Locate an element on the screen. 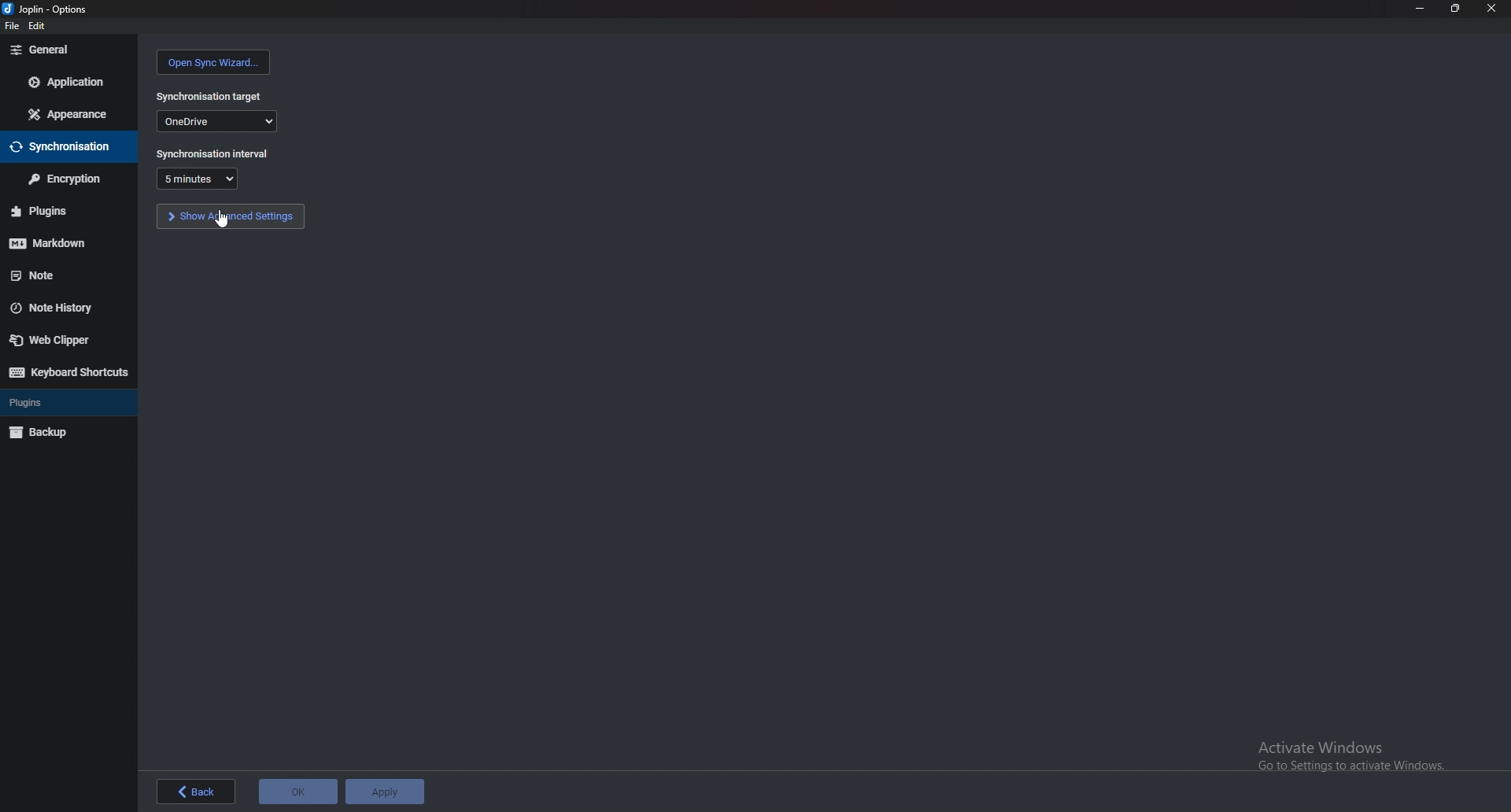 The height and width of the screenshot is (812, 1511). appearance is located at coordinates (68, 114).